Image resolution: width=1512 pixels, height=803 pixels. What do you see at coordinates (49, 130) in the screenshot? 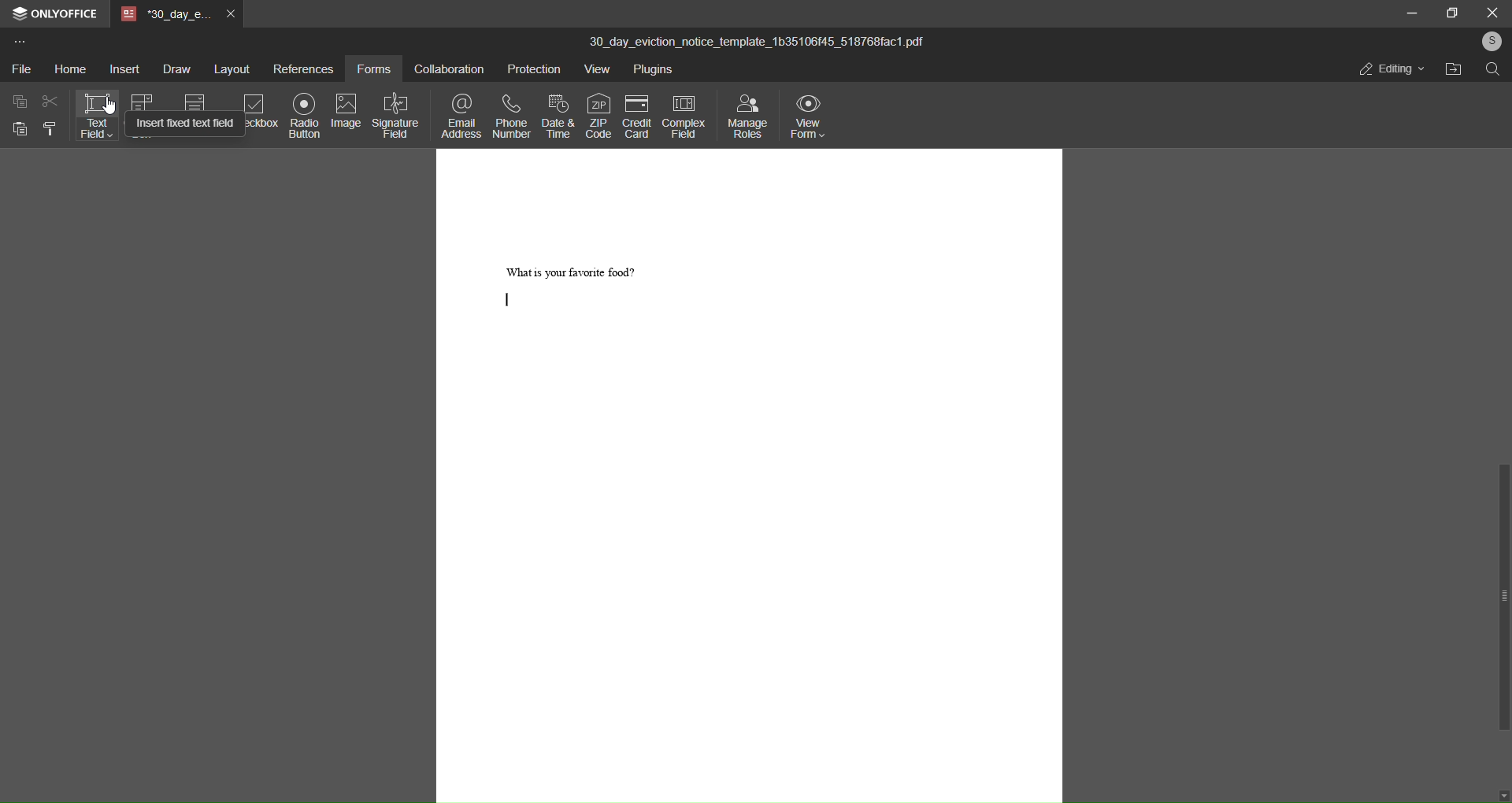
I see `format` at bounding box center [49, 130].